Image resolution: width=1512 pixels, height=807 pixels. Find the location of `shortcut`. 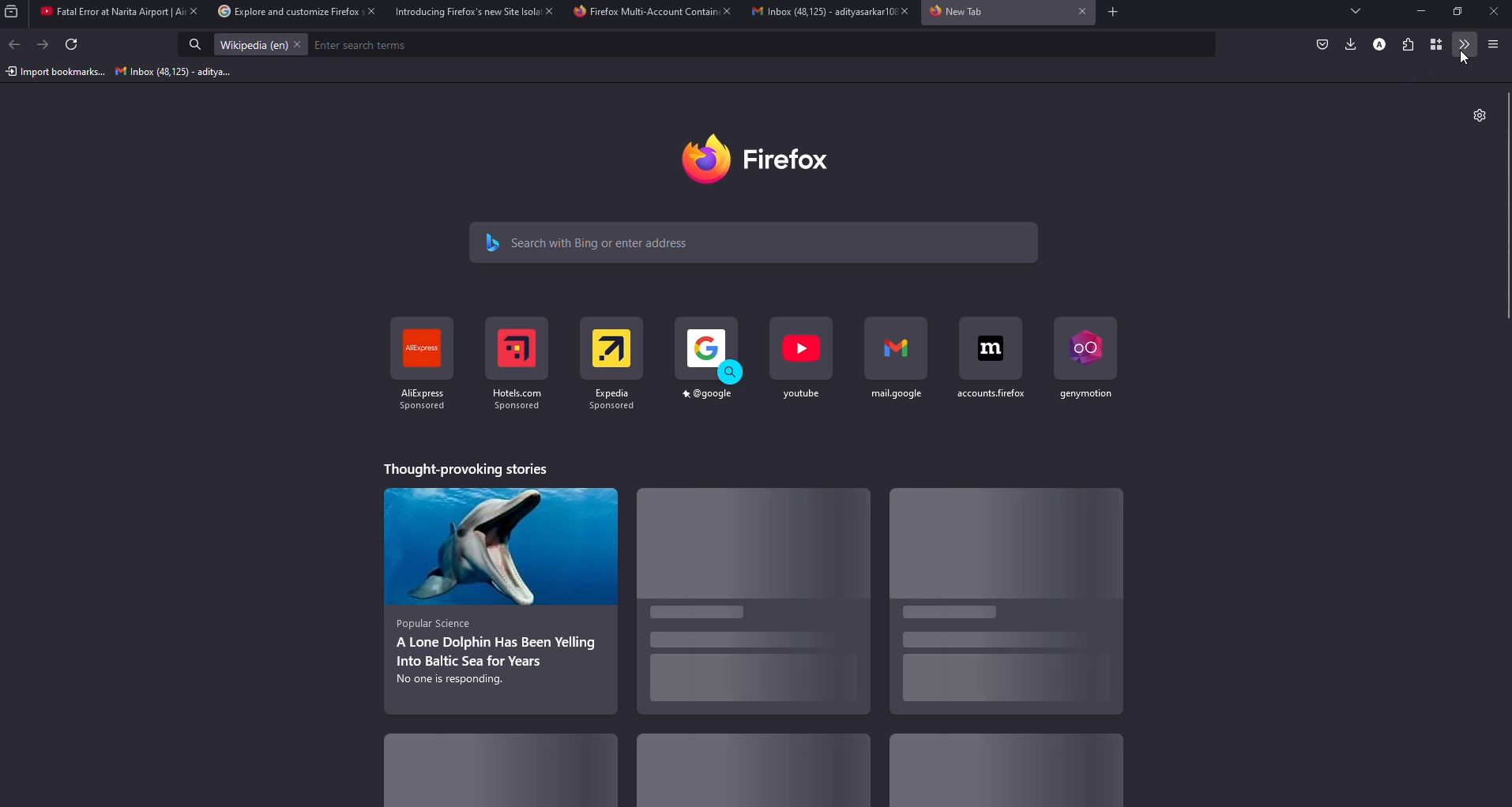

shortcut is located at coordinates (802, 358).